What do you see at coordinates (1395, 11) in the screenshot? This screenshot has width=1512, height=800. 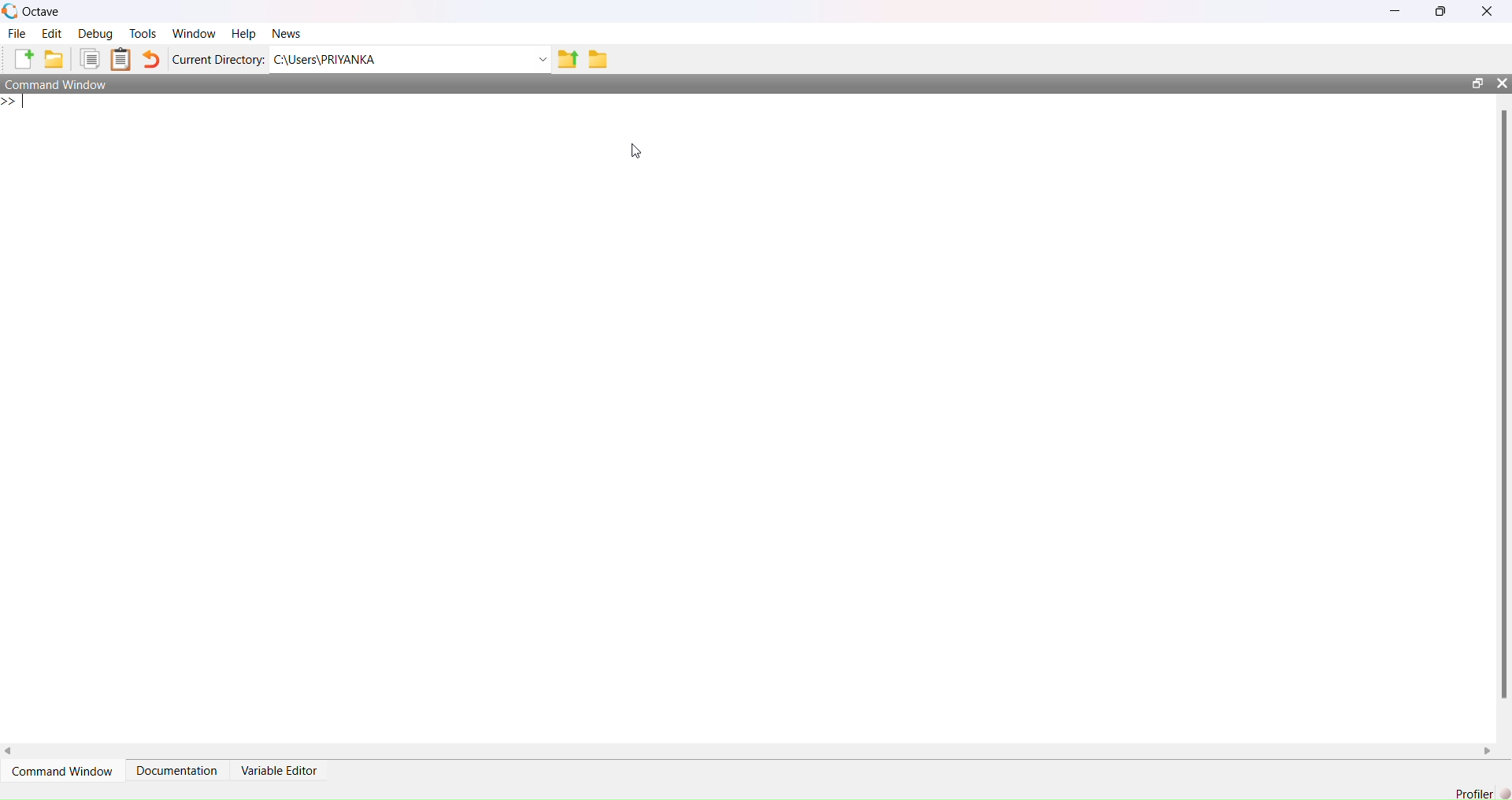 I see `minimize` at bounding box center [1395, 11].